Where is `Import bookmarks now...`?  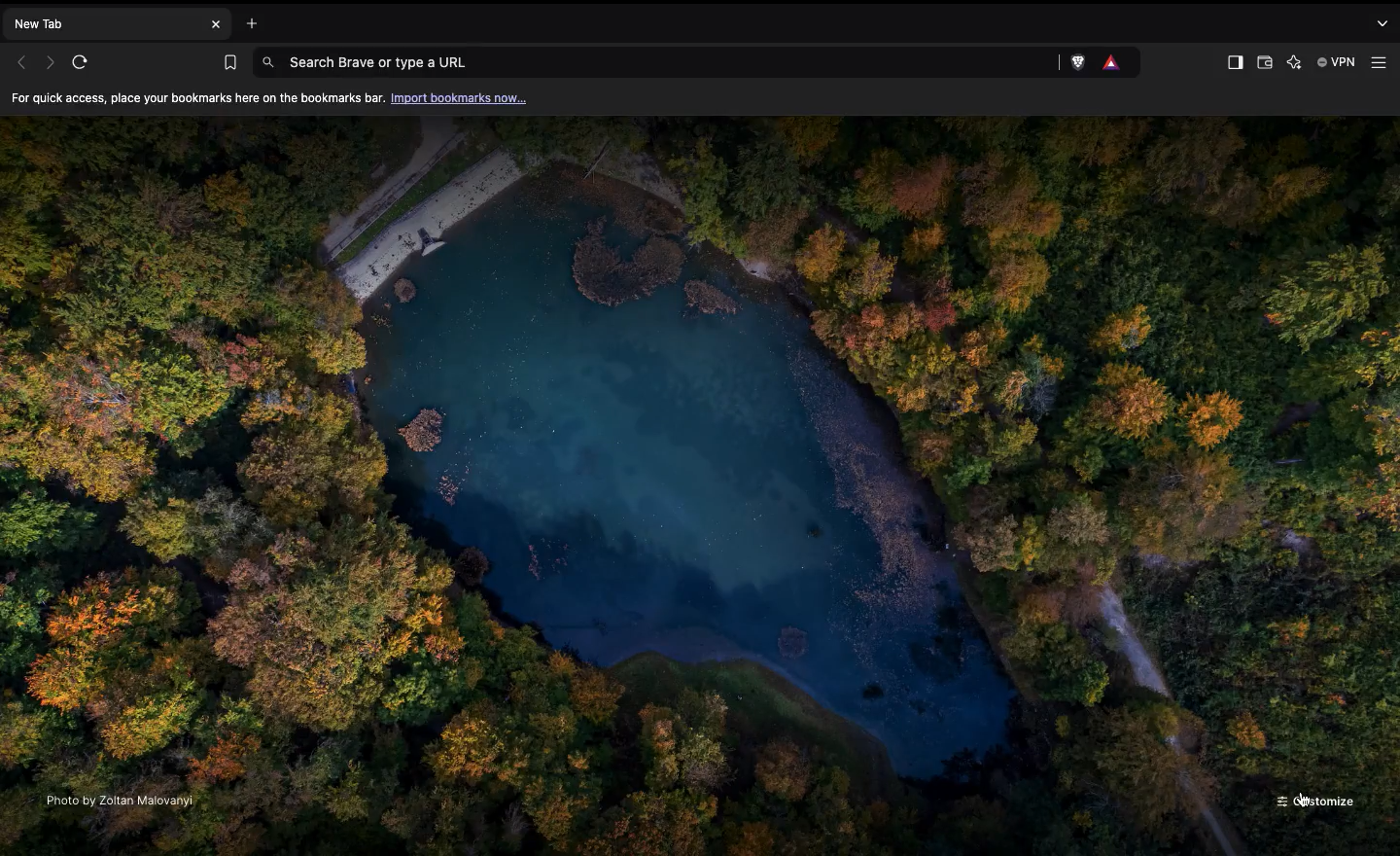 Import bookmarks now... is located at coordinates (463, 97).